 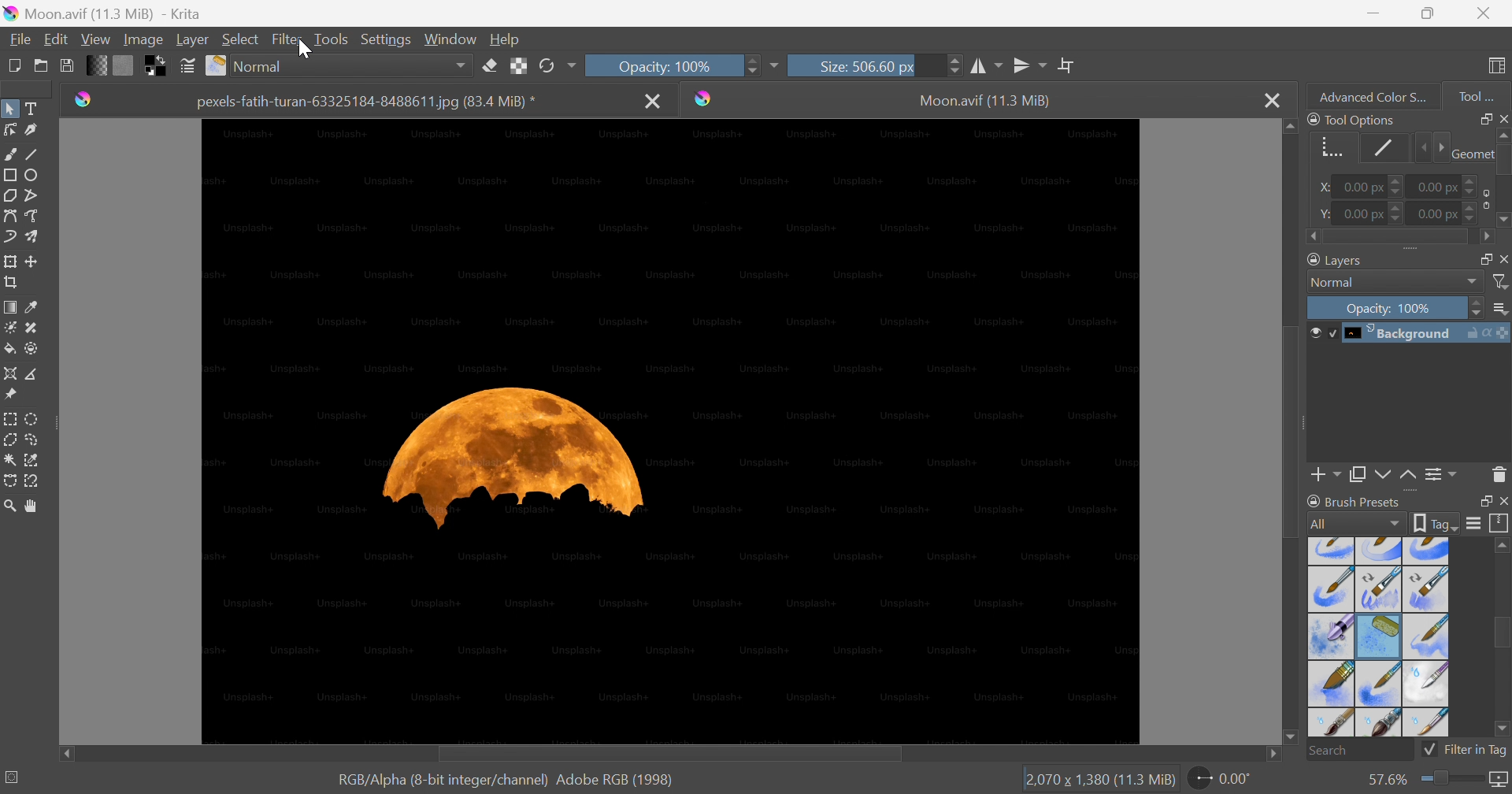 I want to click on Freehand path tool, so click(x=32, y=216).